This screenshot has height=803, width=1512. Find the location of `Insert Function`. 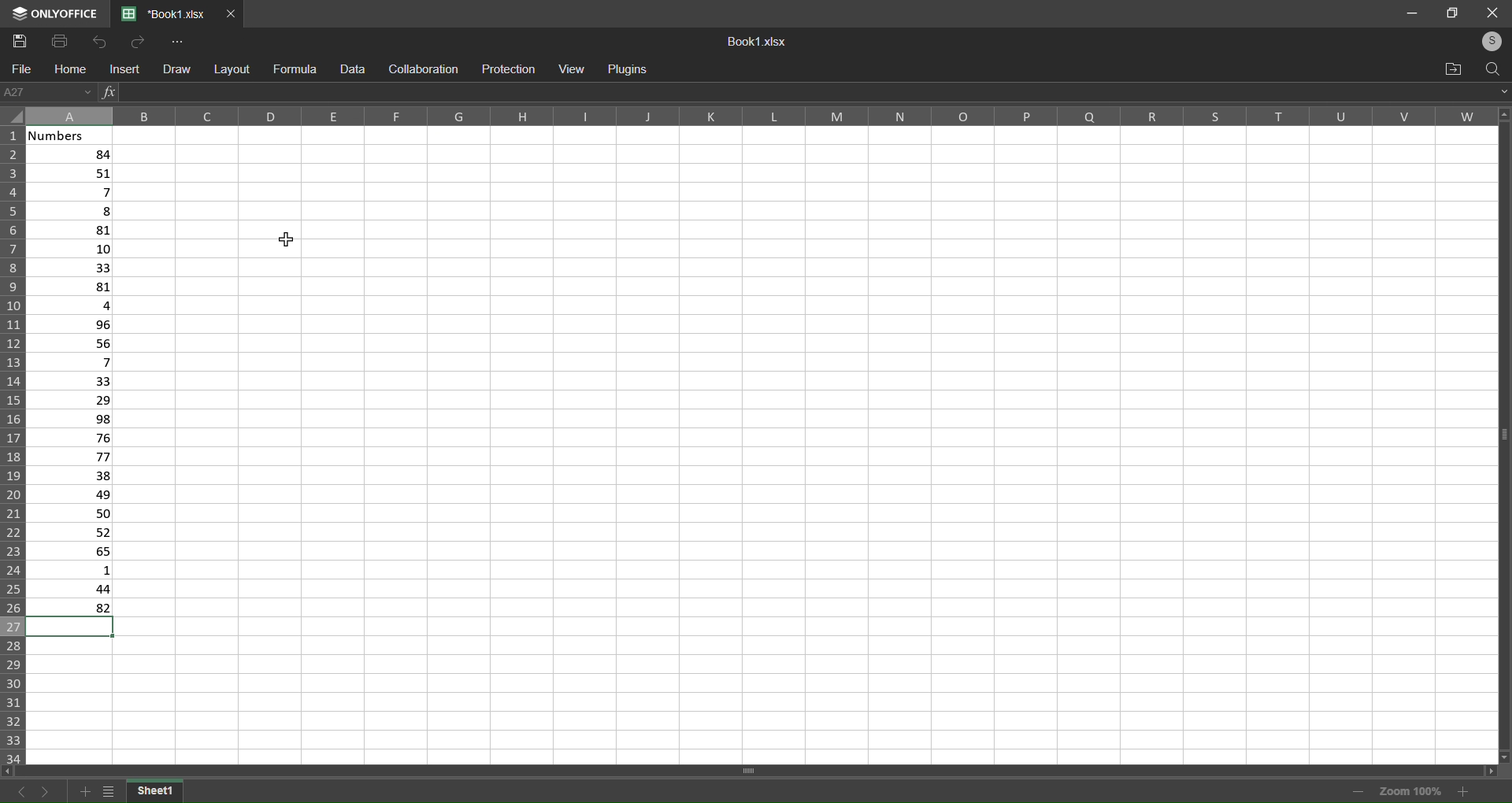

Insert Function is located at coordinates (109, 94).